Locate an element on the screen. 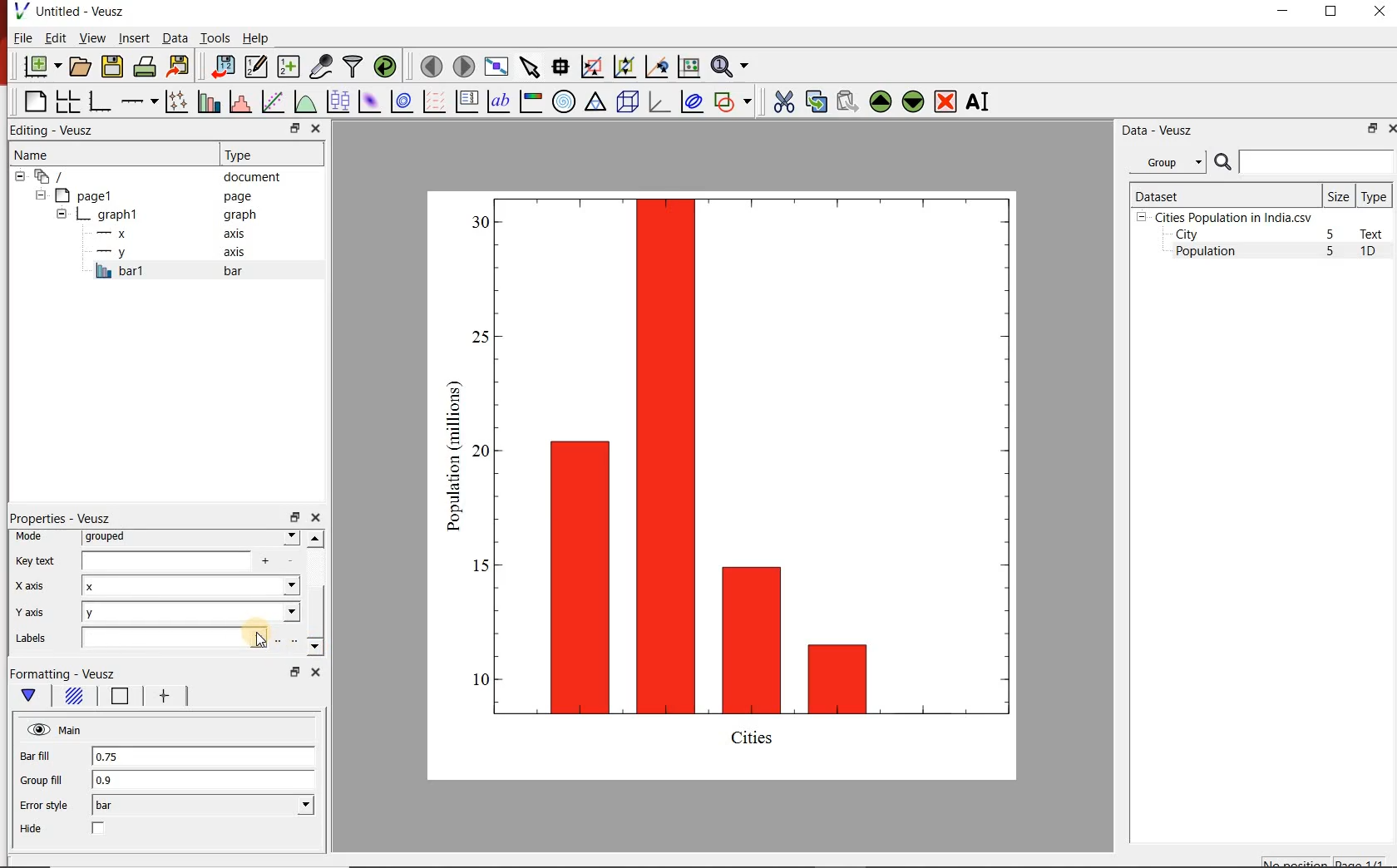 This screenshot has width=1397, height=868. input field is located at coordinates (184, 561).